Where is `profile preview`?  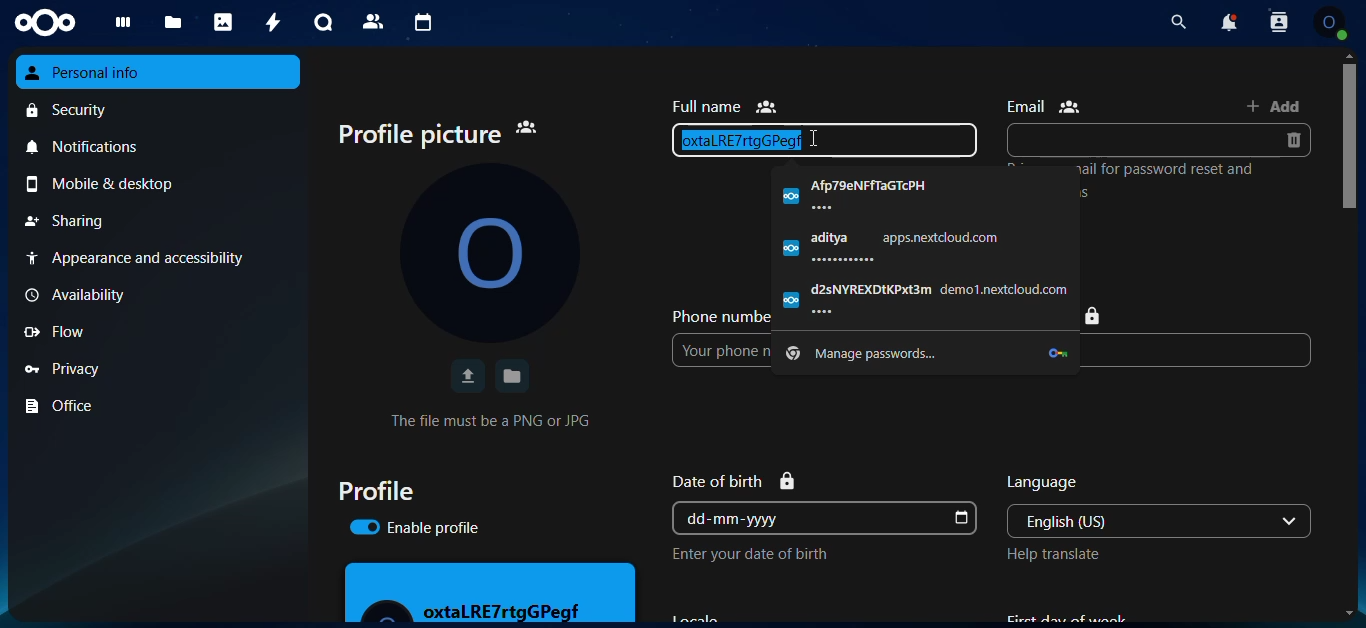 profile preview is located at coordinates (491, 592).